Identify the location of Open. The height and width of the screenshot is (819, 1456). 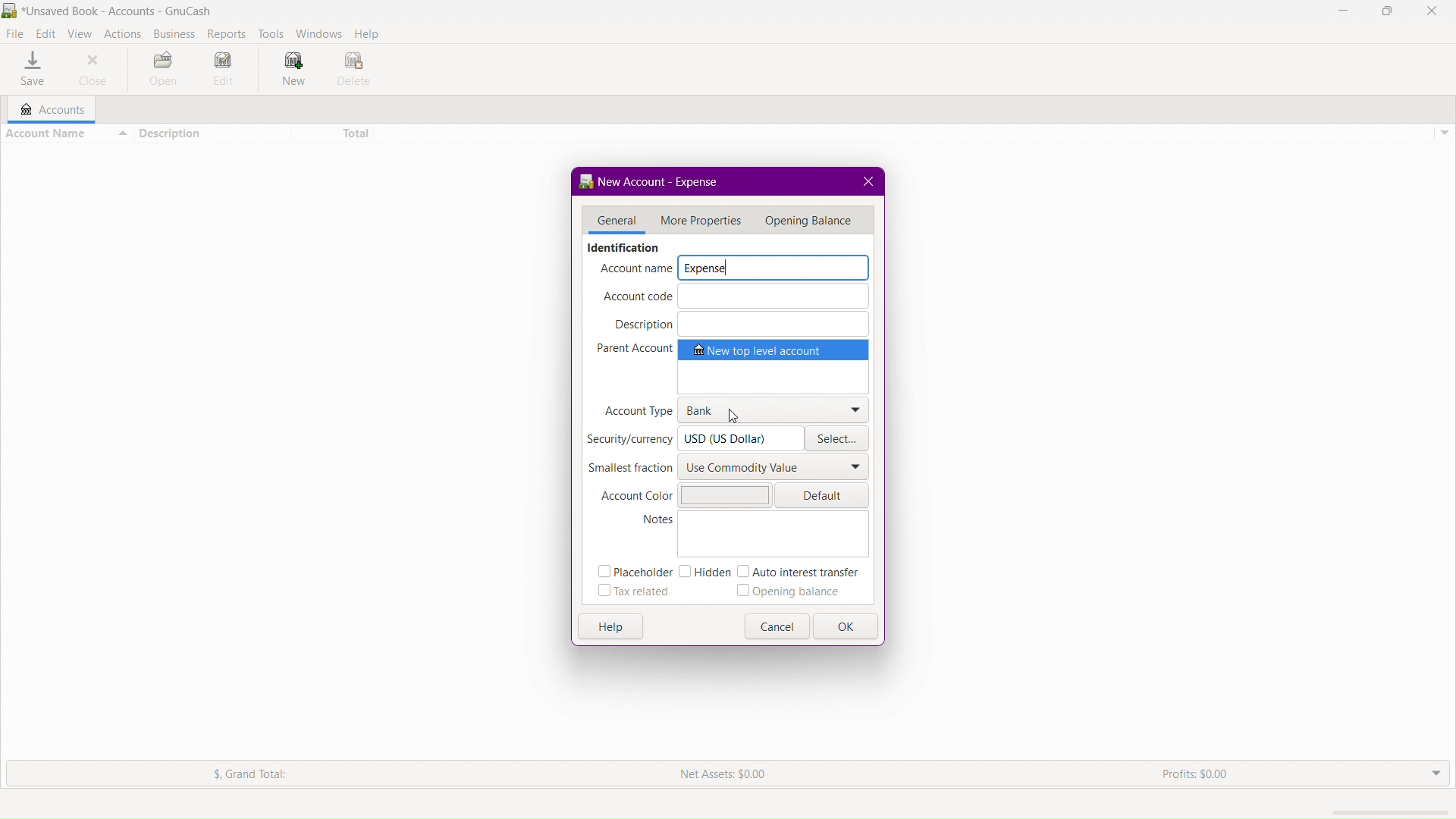
(163, 71).